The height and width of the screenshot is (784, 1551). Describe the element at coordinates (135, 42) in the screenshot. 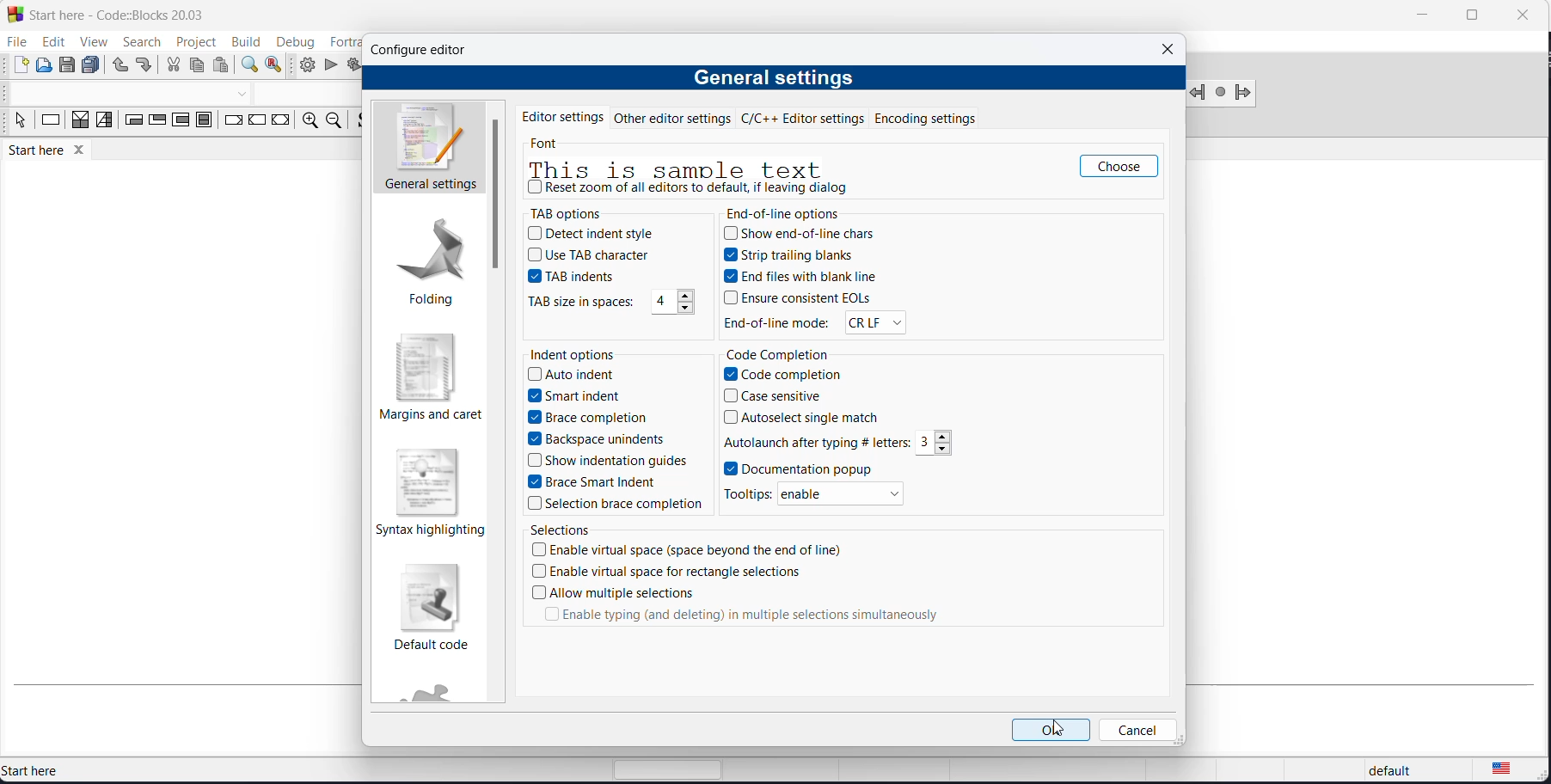

I see `search` at that location.